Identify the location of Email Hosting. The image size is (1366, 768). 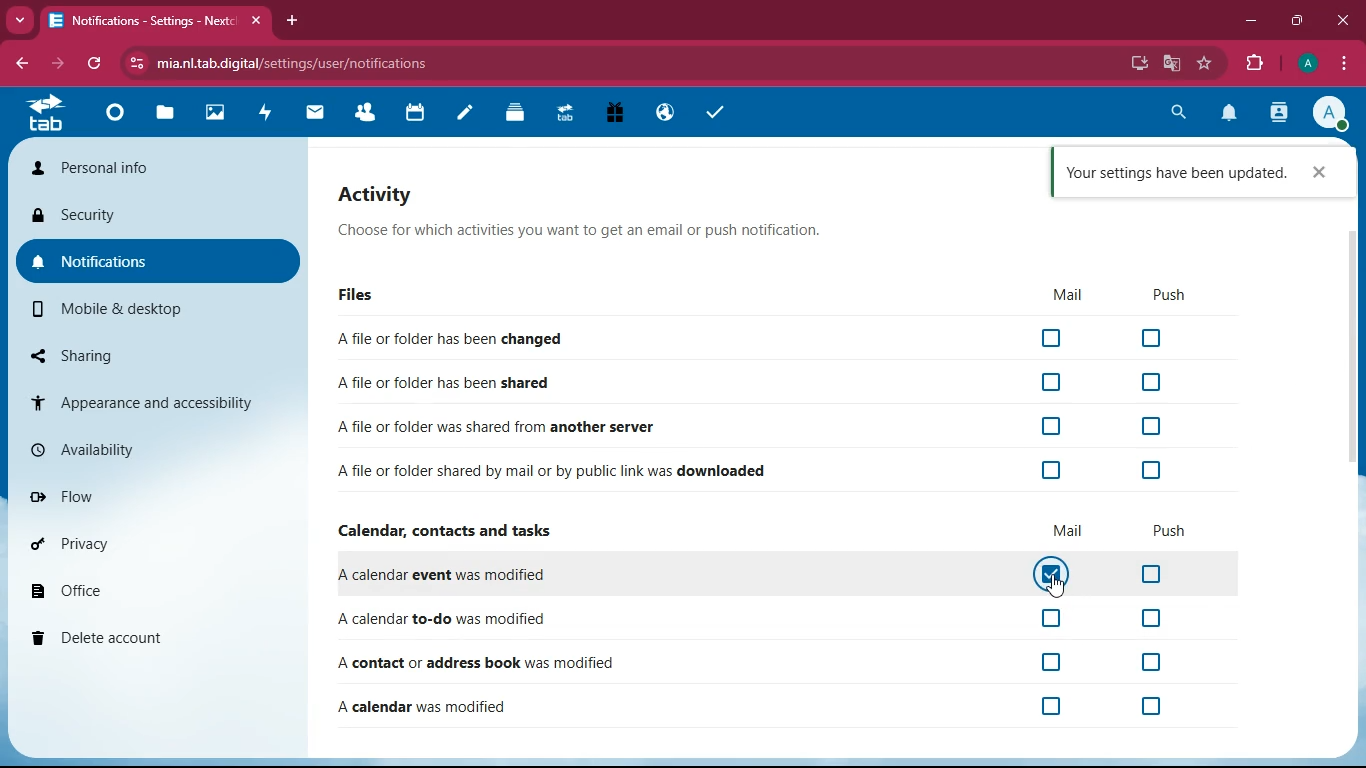
(666, 114).